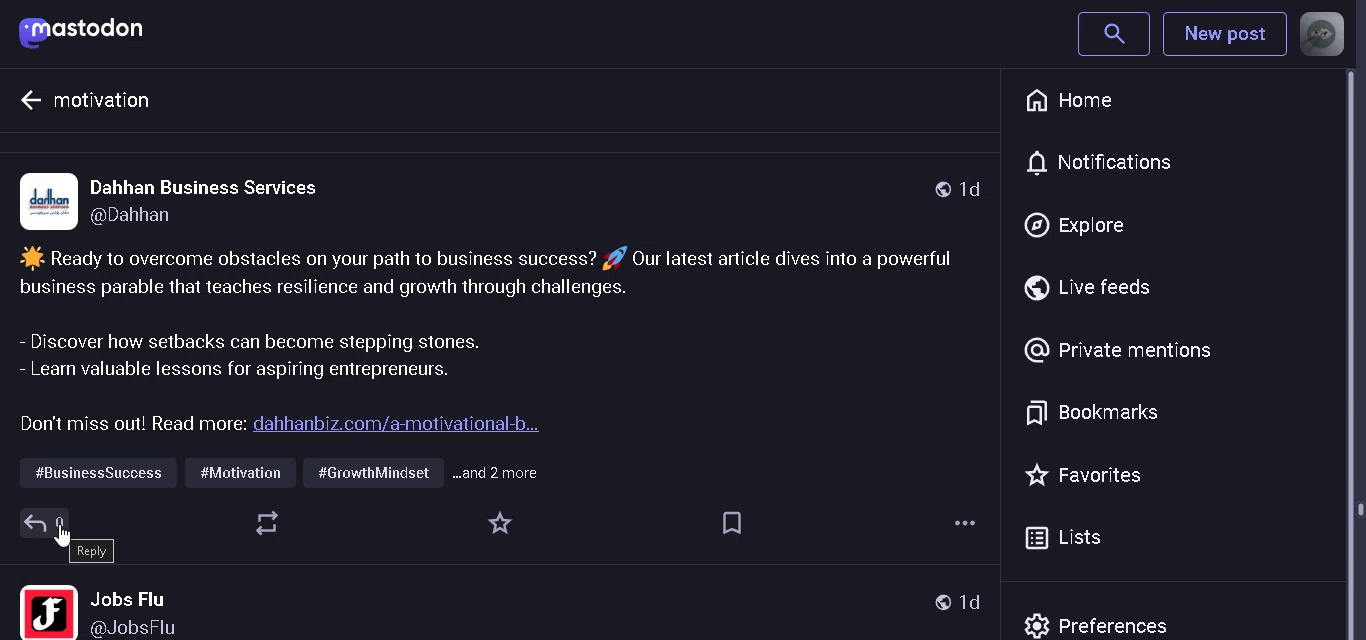 This screenshot has height=640, width=1366. Describe the element at coordinates (973, 190) in the screenshot. I see `time posted` at that location.